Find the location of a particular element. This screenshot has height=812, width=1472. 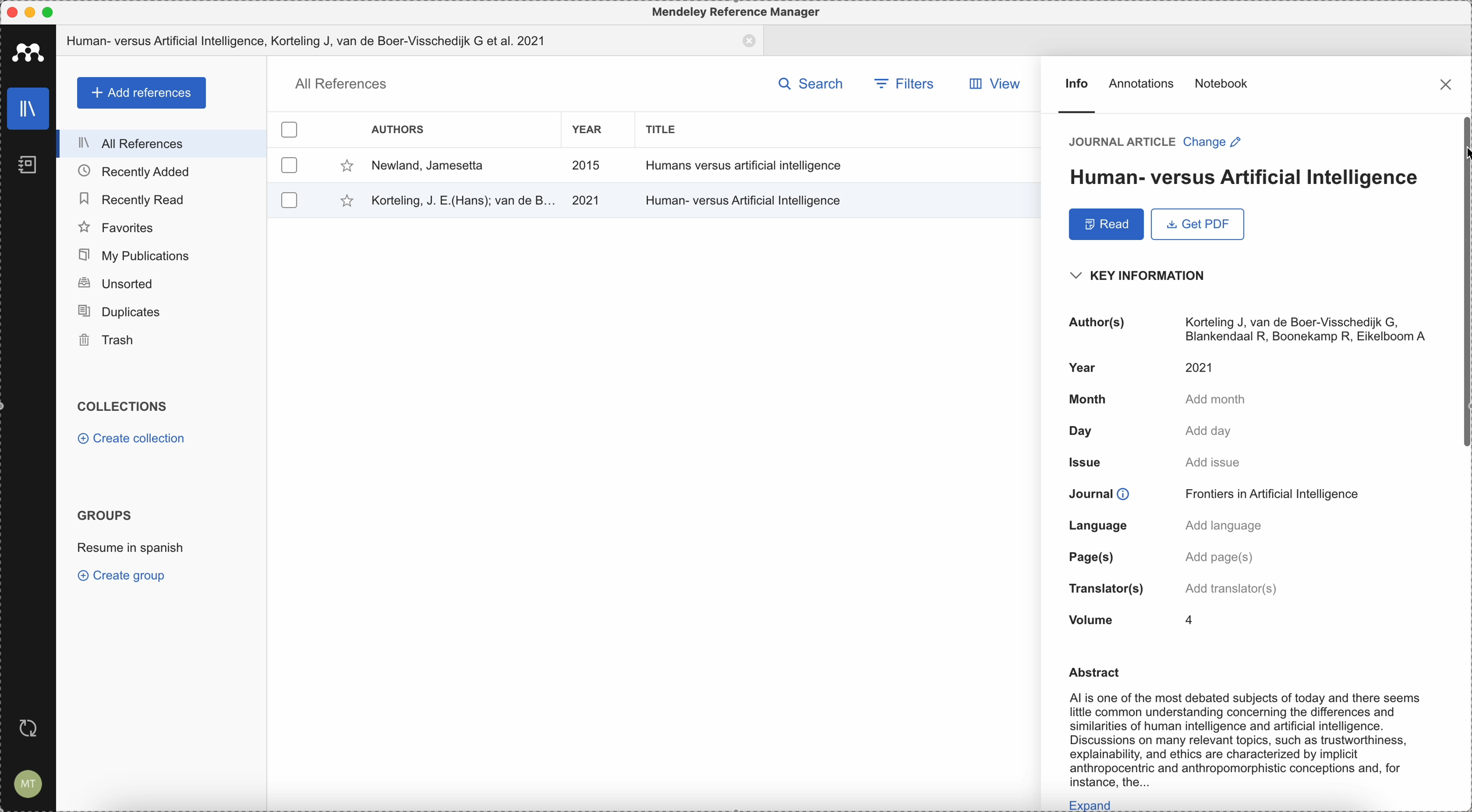

year 2021 is located at coordinates (1142, 368).